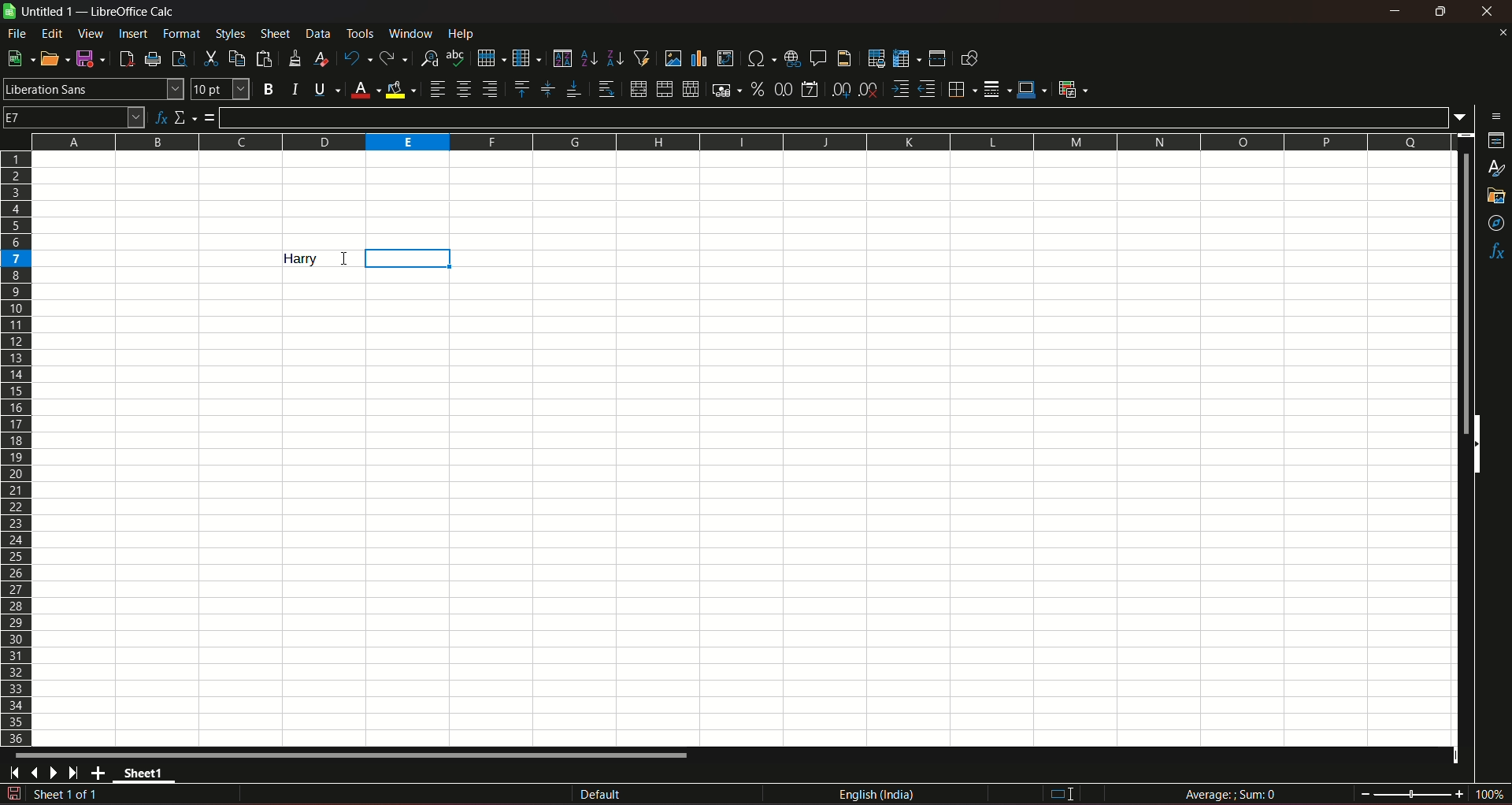 The image size is (1512, 805). Describe the element at coordinates (361, 33) in the screenshot. I see `tools` at that location.